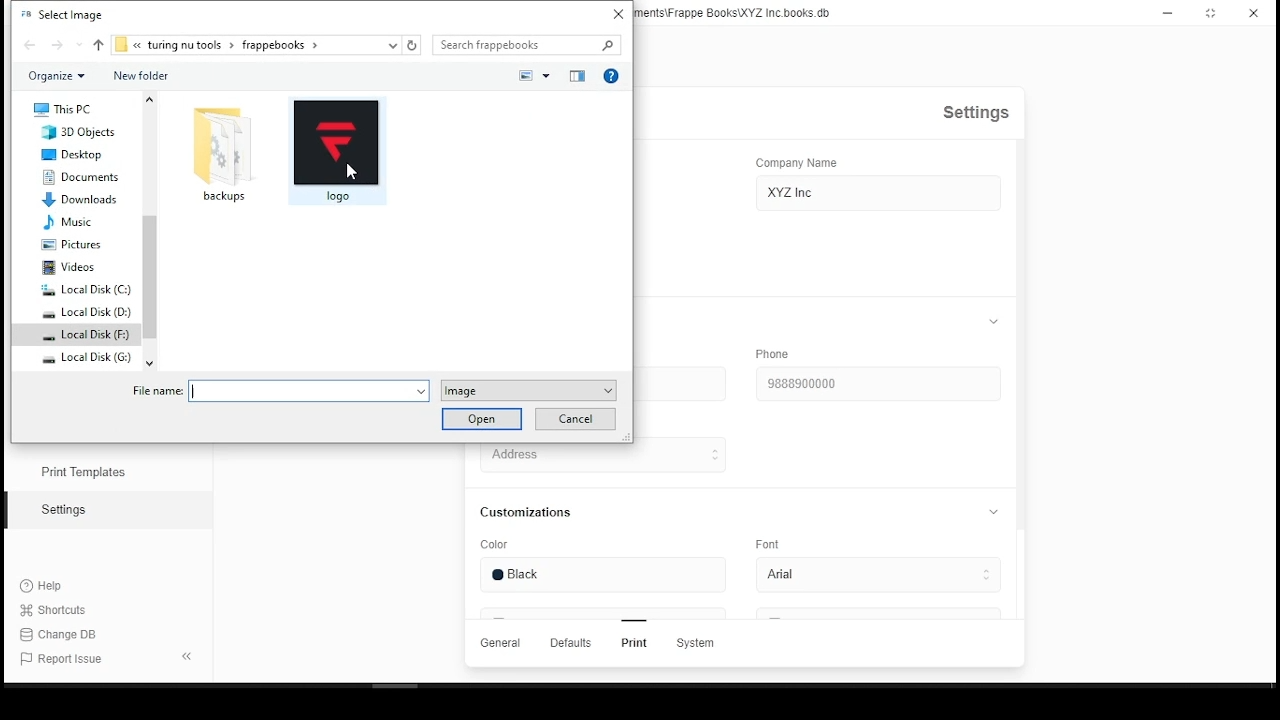 The width and height of the screenshot is (1280, 720). Describe the element at coordinates (501, 644) in the screenshot. I see `General` at that location.